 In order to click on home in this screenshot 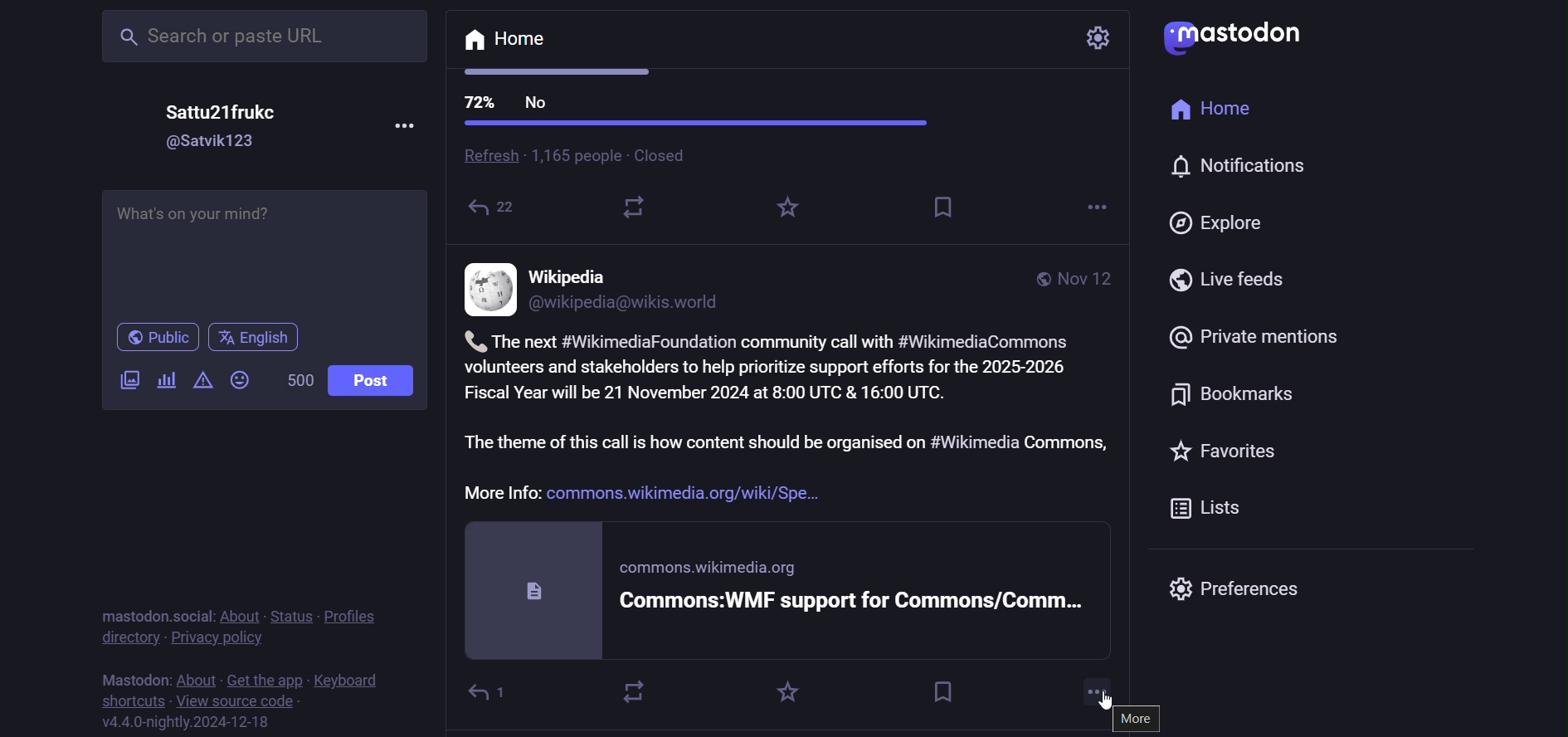, I will do `click(1226, 111)`.